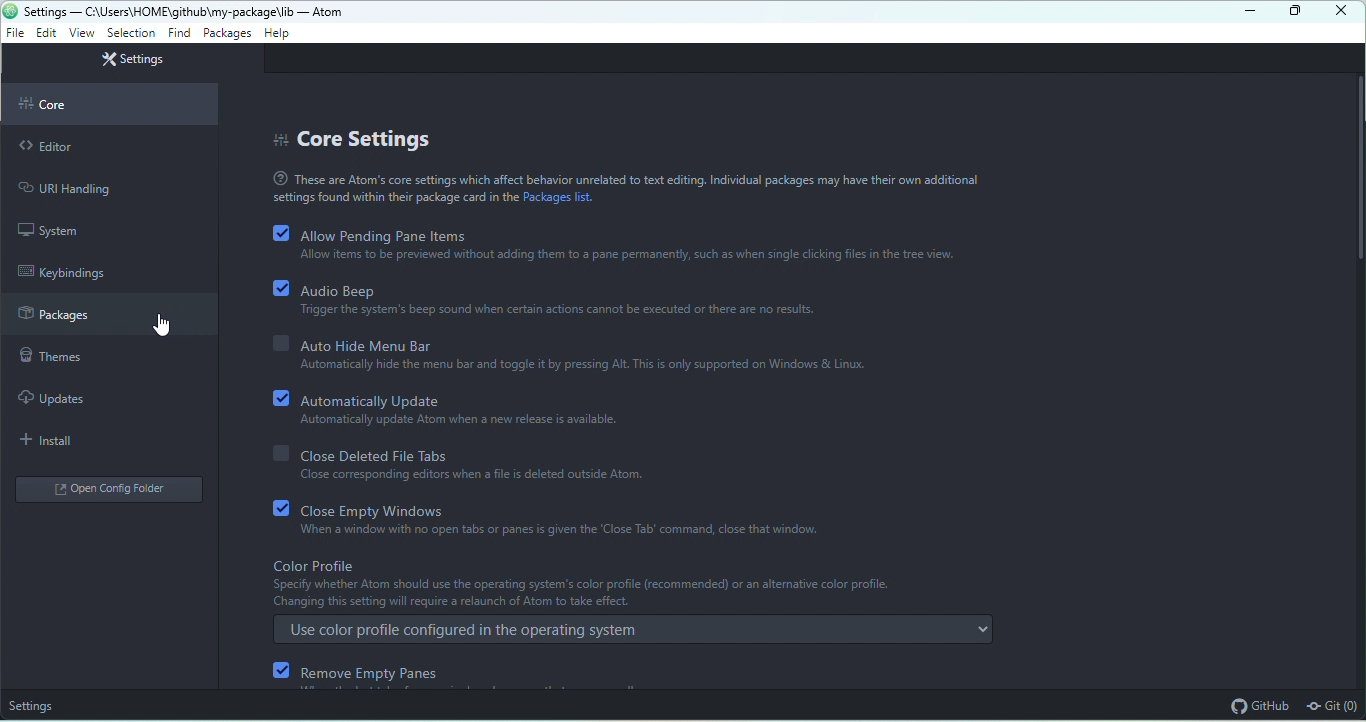 This screenshot has width=1366, height=722. What do you see at coordinates (277, 344) in the screenshot?
I see `checkbox without tick` at bounding box center [277, 344].